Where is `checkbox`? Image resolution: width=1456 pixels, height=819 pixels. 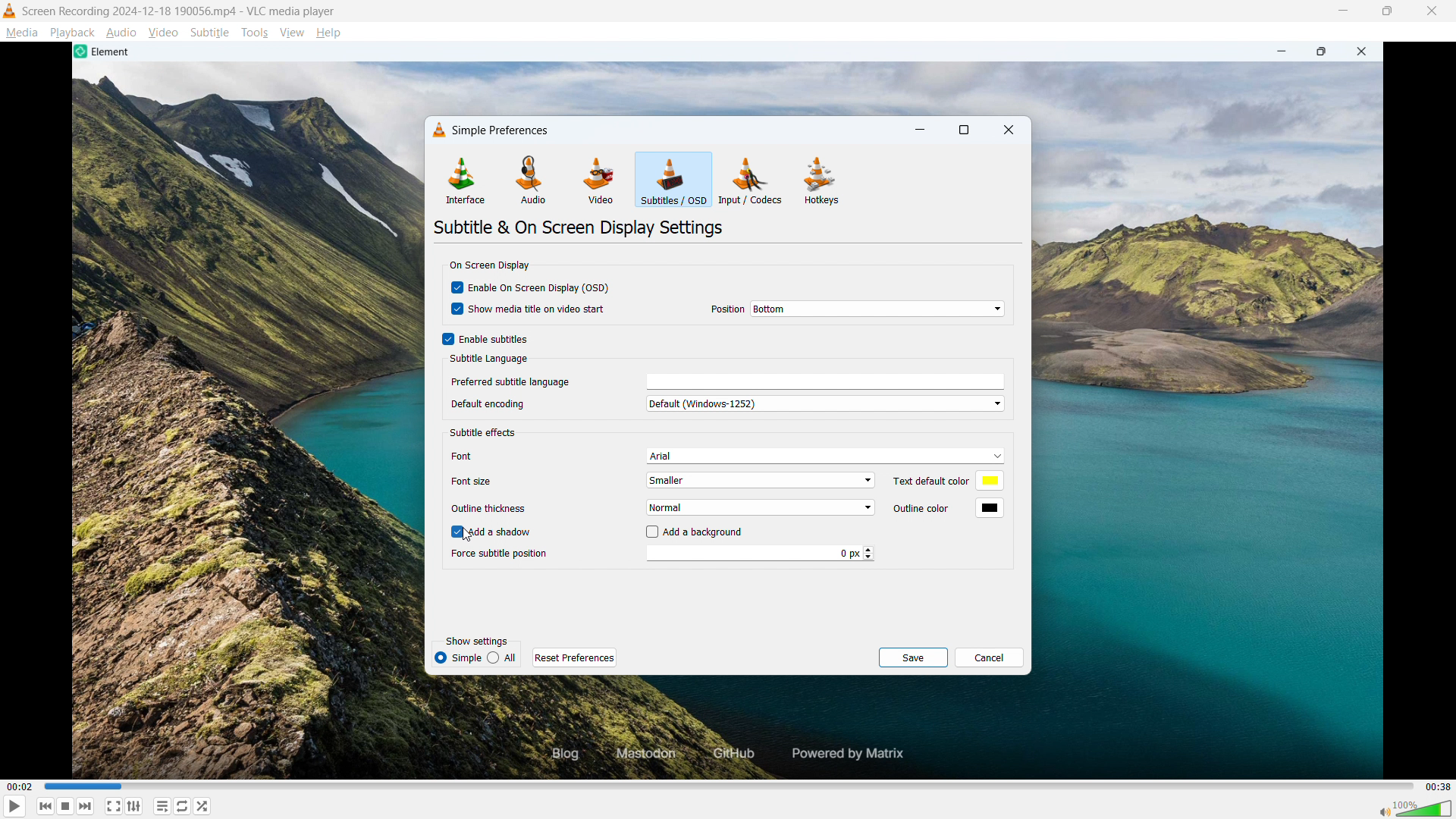
checkbox is located at coordinates (456, 289).